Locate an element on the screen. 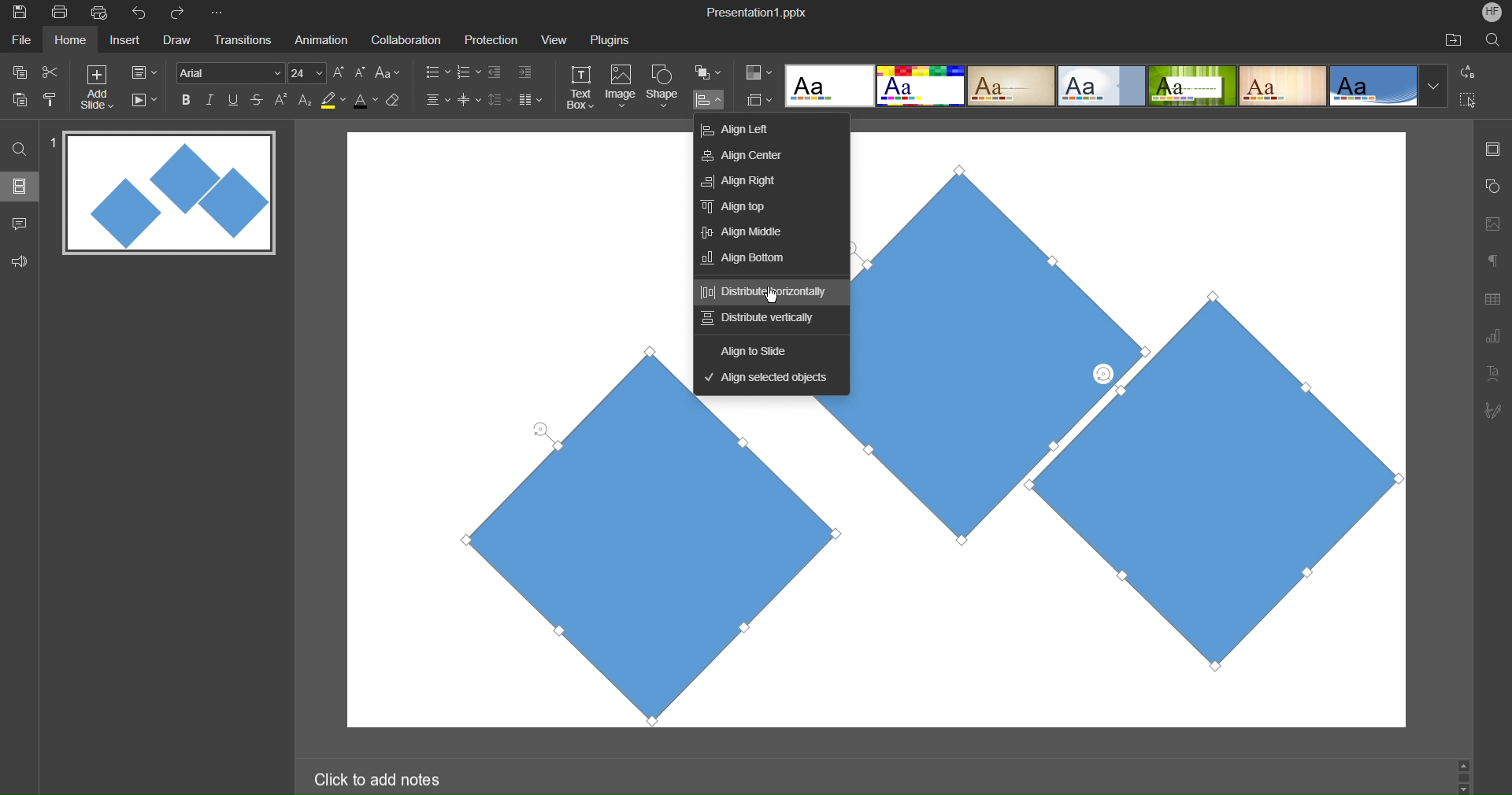 This screenshot has width=1512, height=795. Collaboration is located at coordinates (403, 40).